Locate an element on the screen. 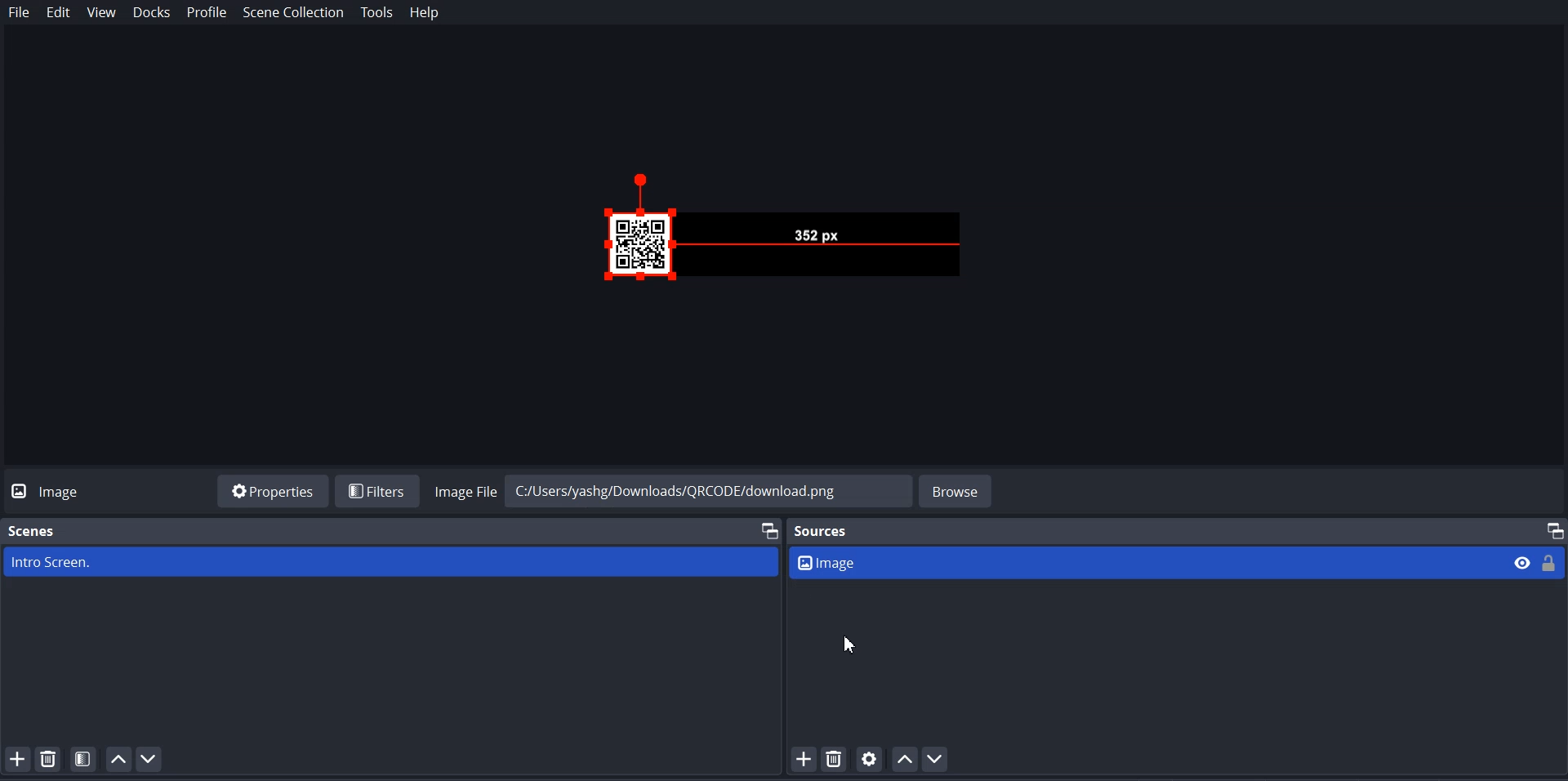  Move Source Up is located at coordinates (906, 758).